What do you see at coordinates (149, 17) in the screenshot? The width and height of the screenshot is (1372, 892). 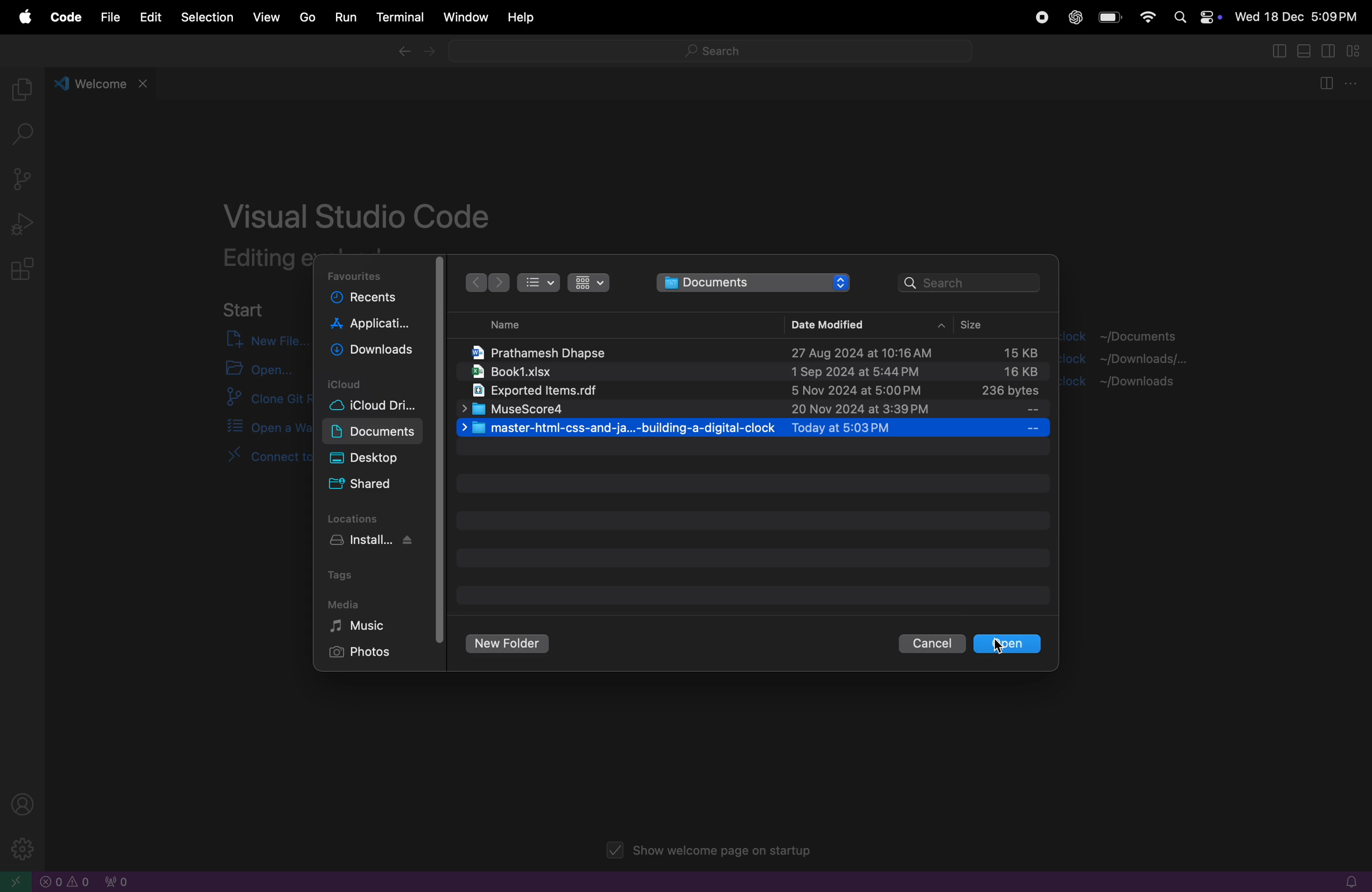 I see `edit` at bounding box center [149, 17].